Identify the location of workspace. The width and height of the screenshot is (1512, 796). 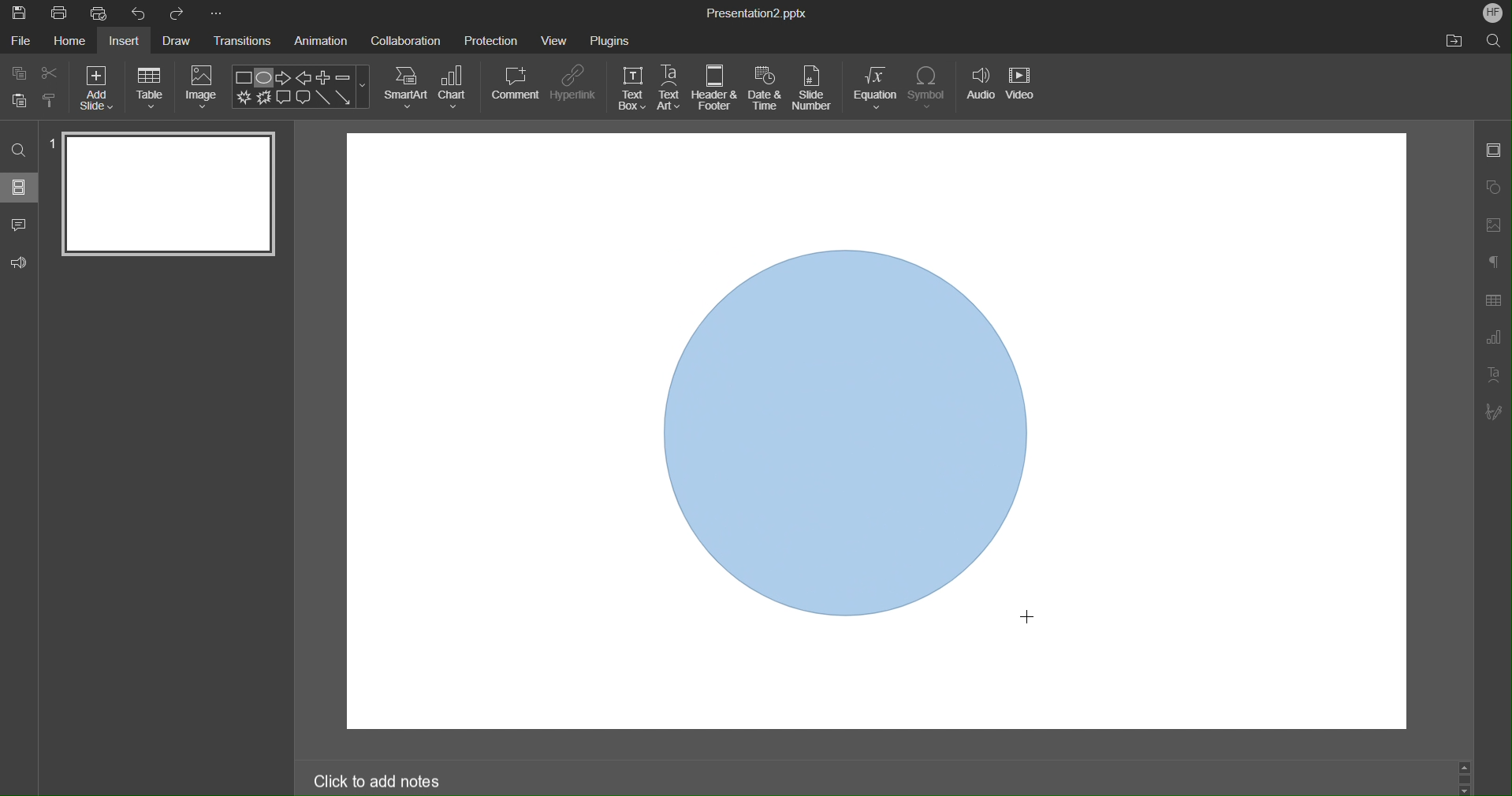
(855, 184).